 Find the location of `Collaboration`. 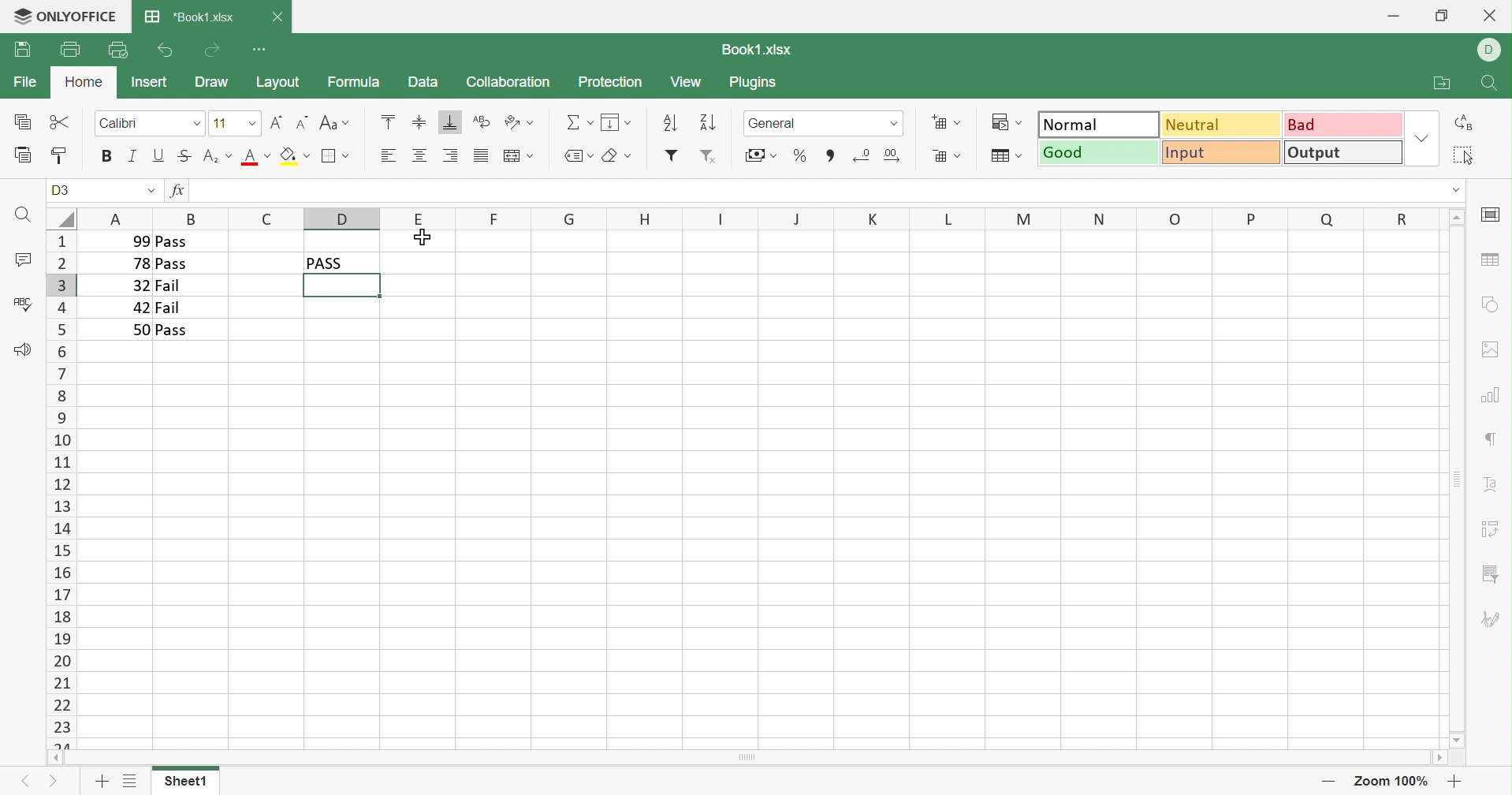

Collaboration is located at coordinates (507, 84).